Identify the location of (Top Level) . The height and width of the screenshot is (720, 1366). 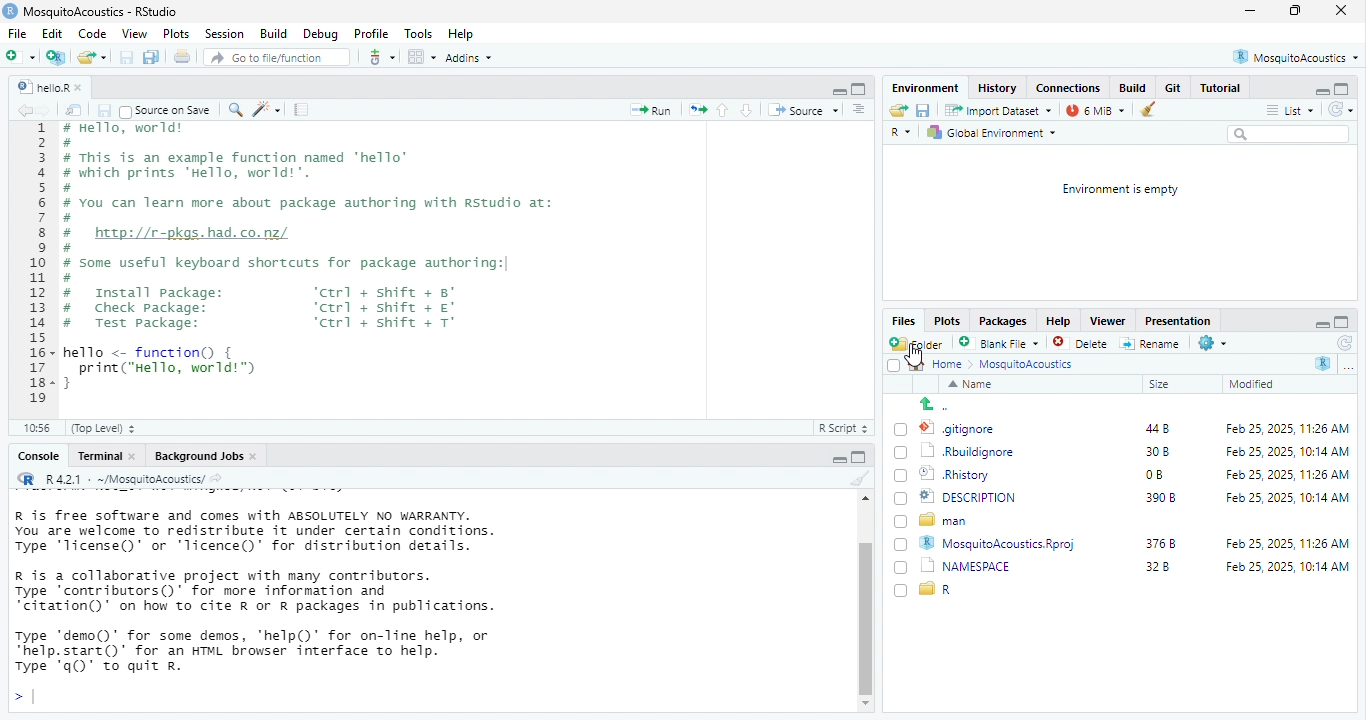
(111, 429).